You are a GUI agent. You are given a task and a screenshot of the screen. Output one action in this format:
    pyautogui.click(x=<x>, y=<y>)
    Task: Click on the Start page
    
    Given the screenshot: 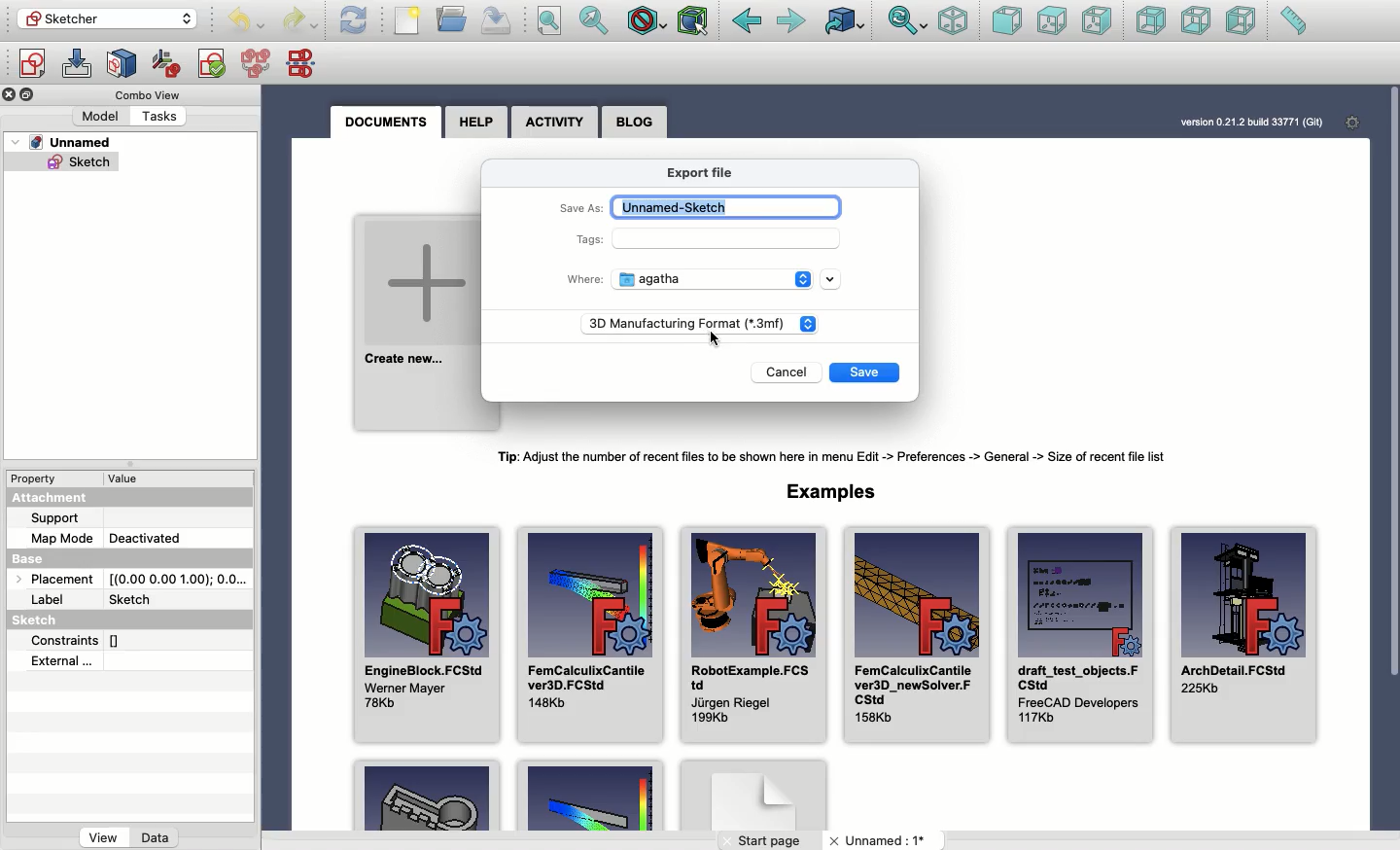 What is the action you would take?
    pyautogui.click(x=772, y=839)
    